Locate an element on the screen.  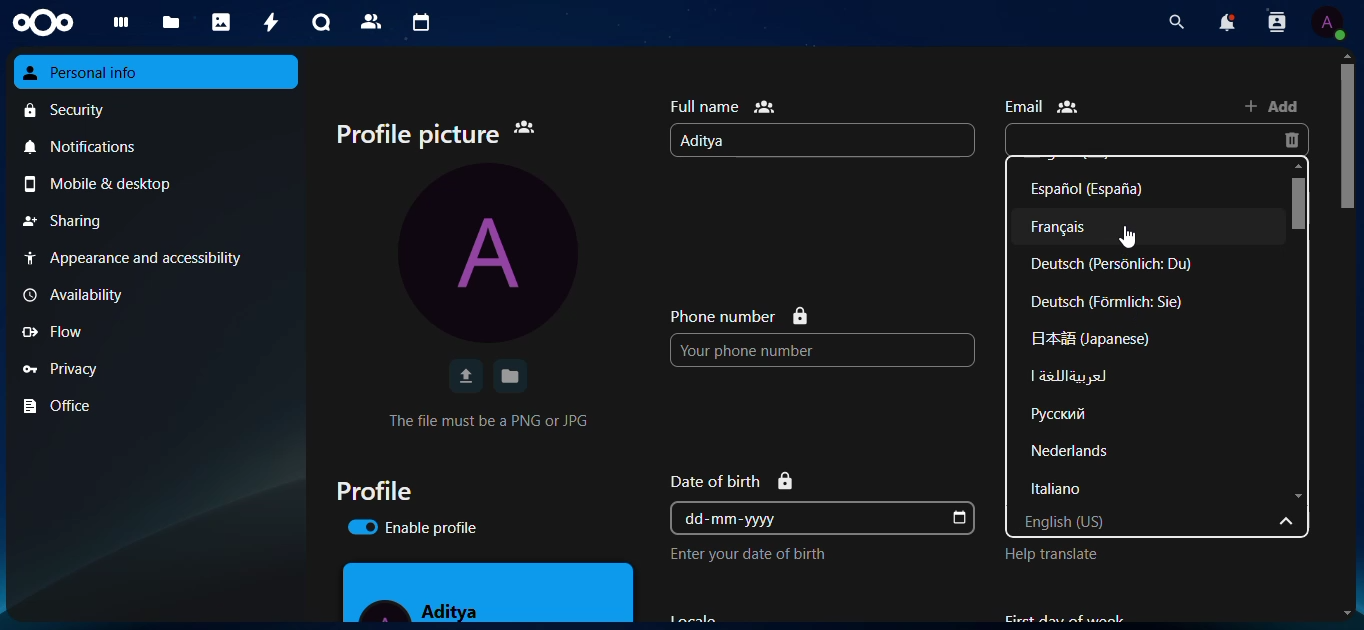
english is located at coordinates (1111, 520).